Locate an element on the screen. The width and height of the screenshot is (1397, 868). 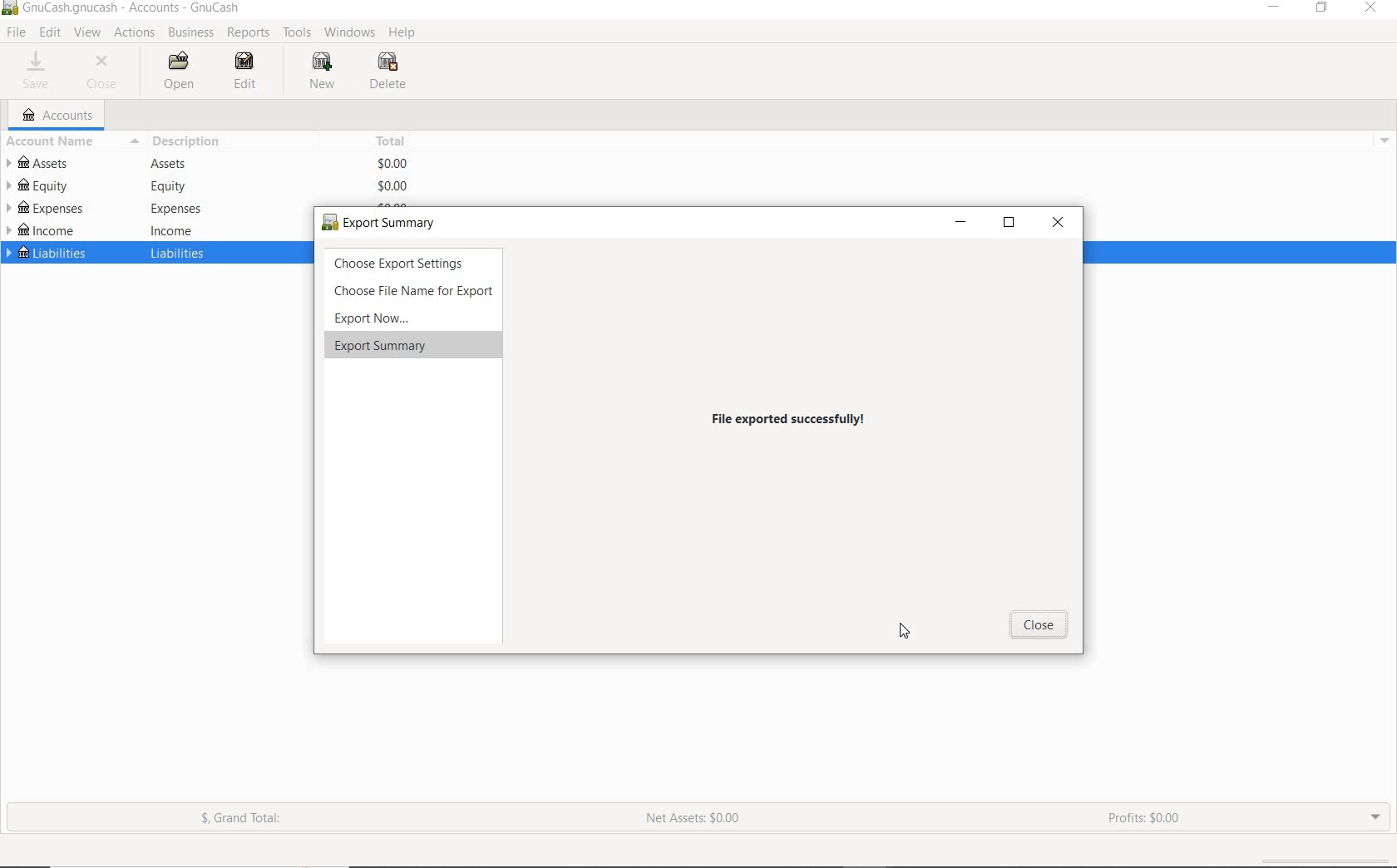
EDIT is located at coordinates (241, 73).